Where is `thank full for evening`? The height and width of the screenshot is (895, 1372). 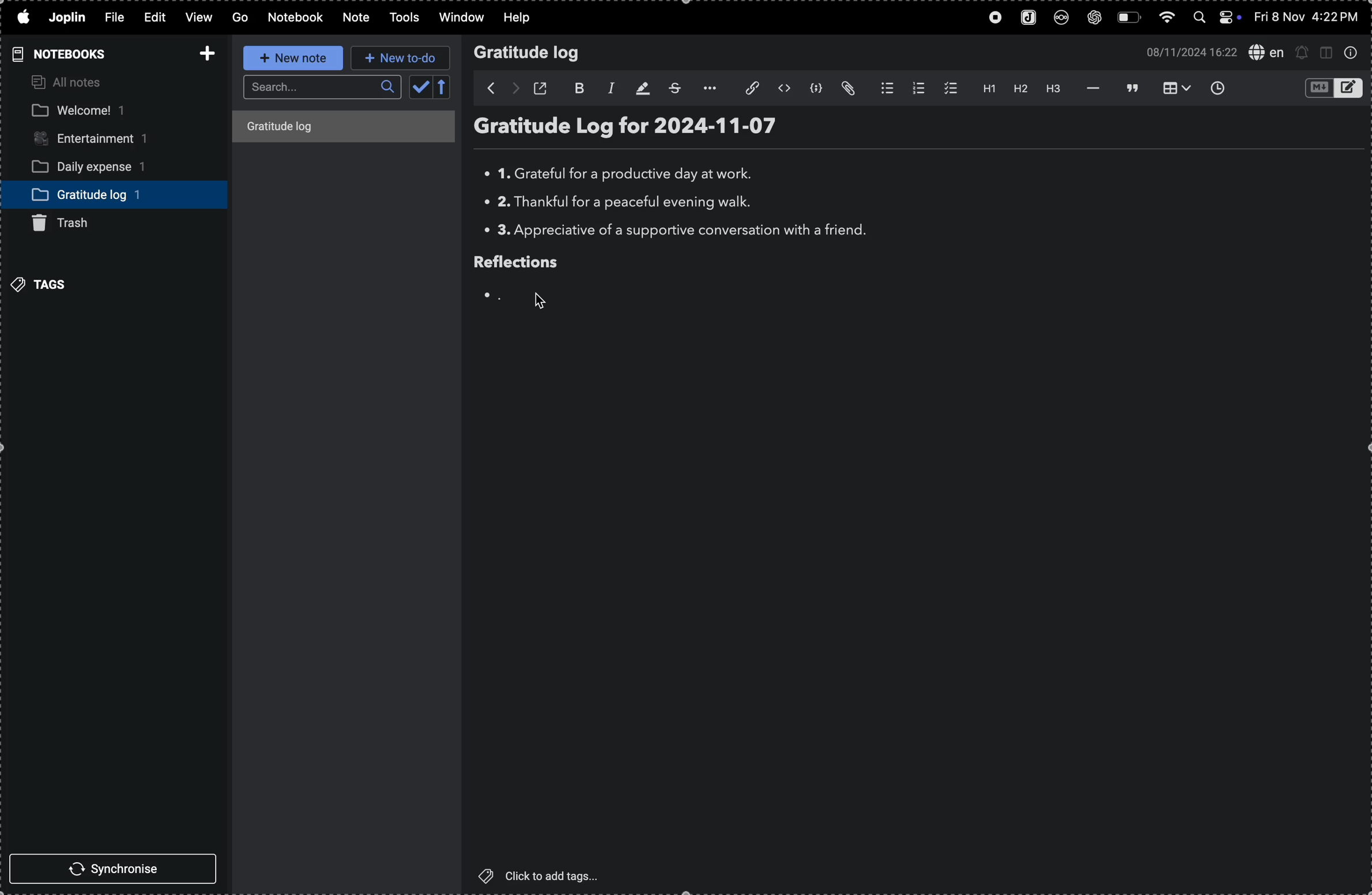 thank full for evening is located at coordinates (617, 205).